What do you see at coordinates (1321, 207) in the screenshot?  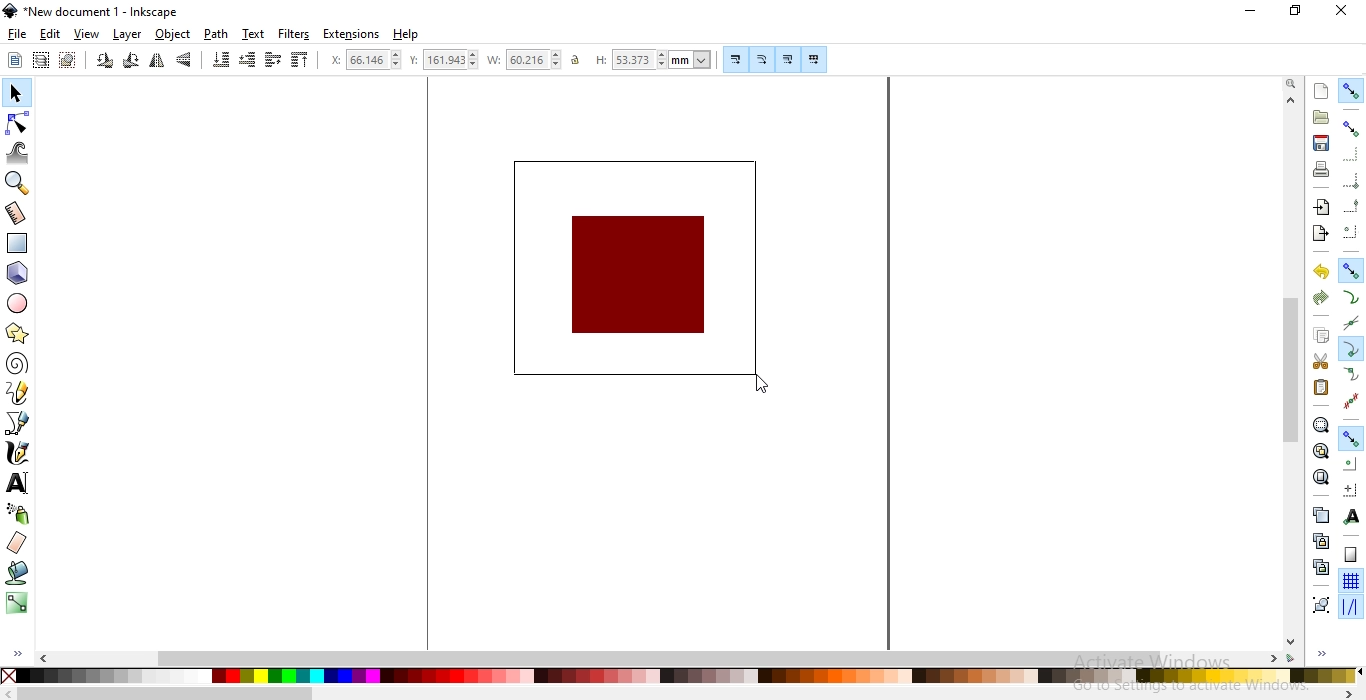 I see `import a bitmap` at bounding box center [1321, 207].